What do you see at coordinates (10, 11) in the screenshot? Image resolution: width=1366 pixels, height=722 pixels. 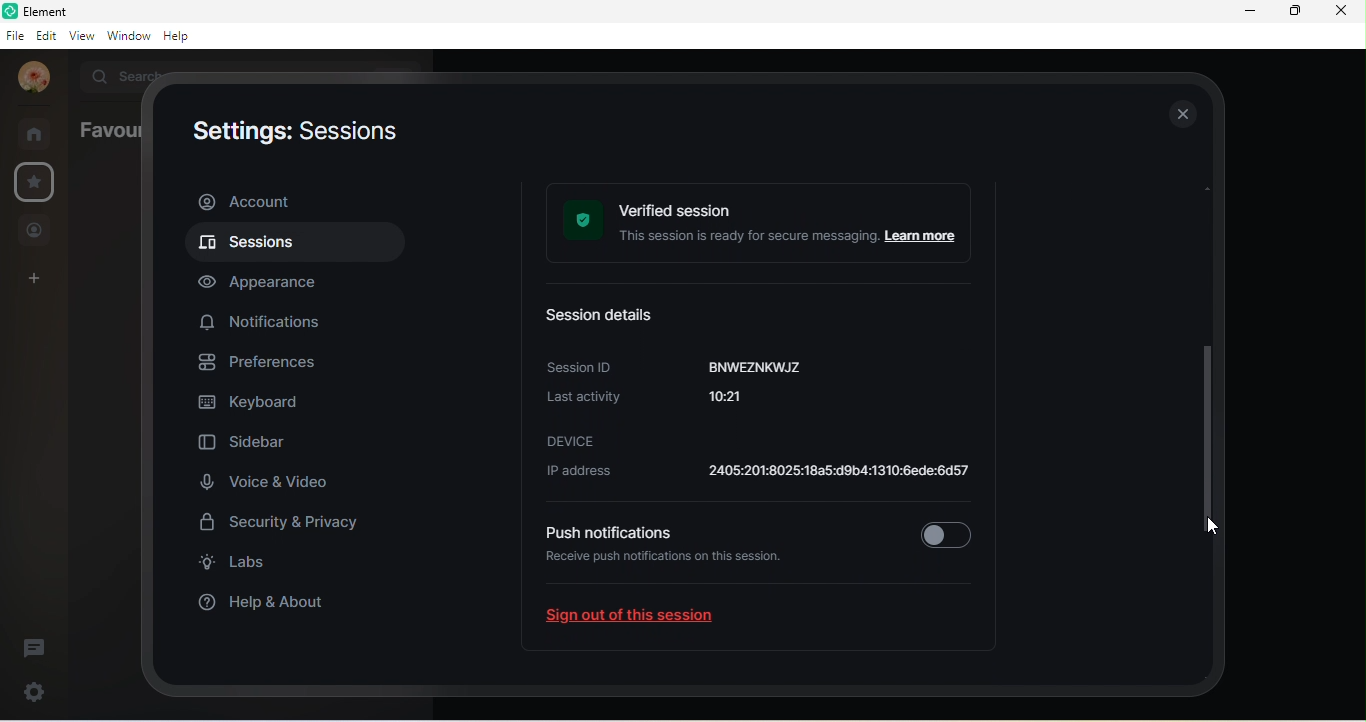 I see `element logo` at bounding box center [10, 11].